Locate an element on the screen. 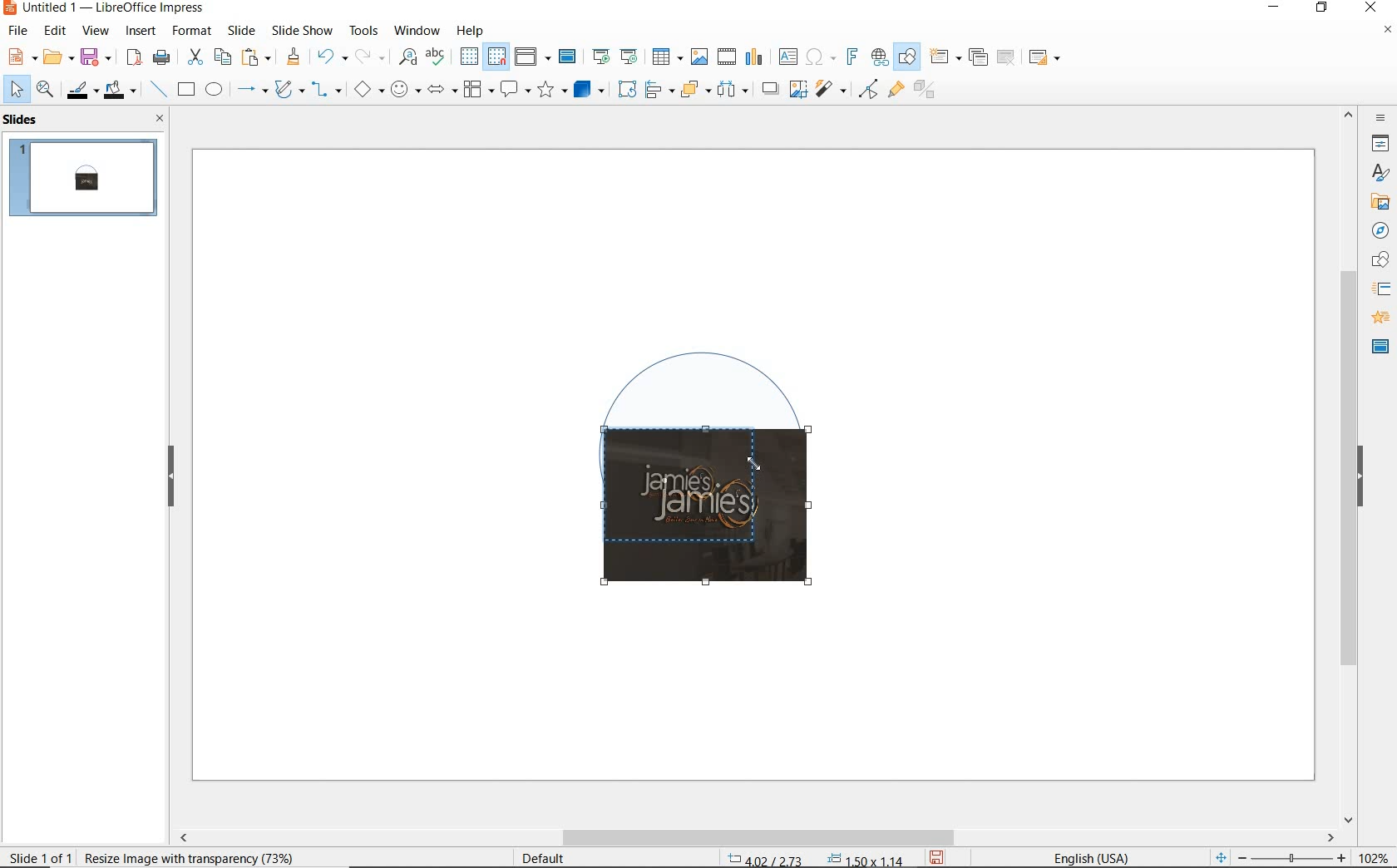  edit is located at coordinates (56, 31).